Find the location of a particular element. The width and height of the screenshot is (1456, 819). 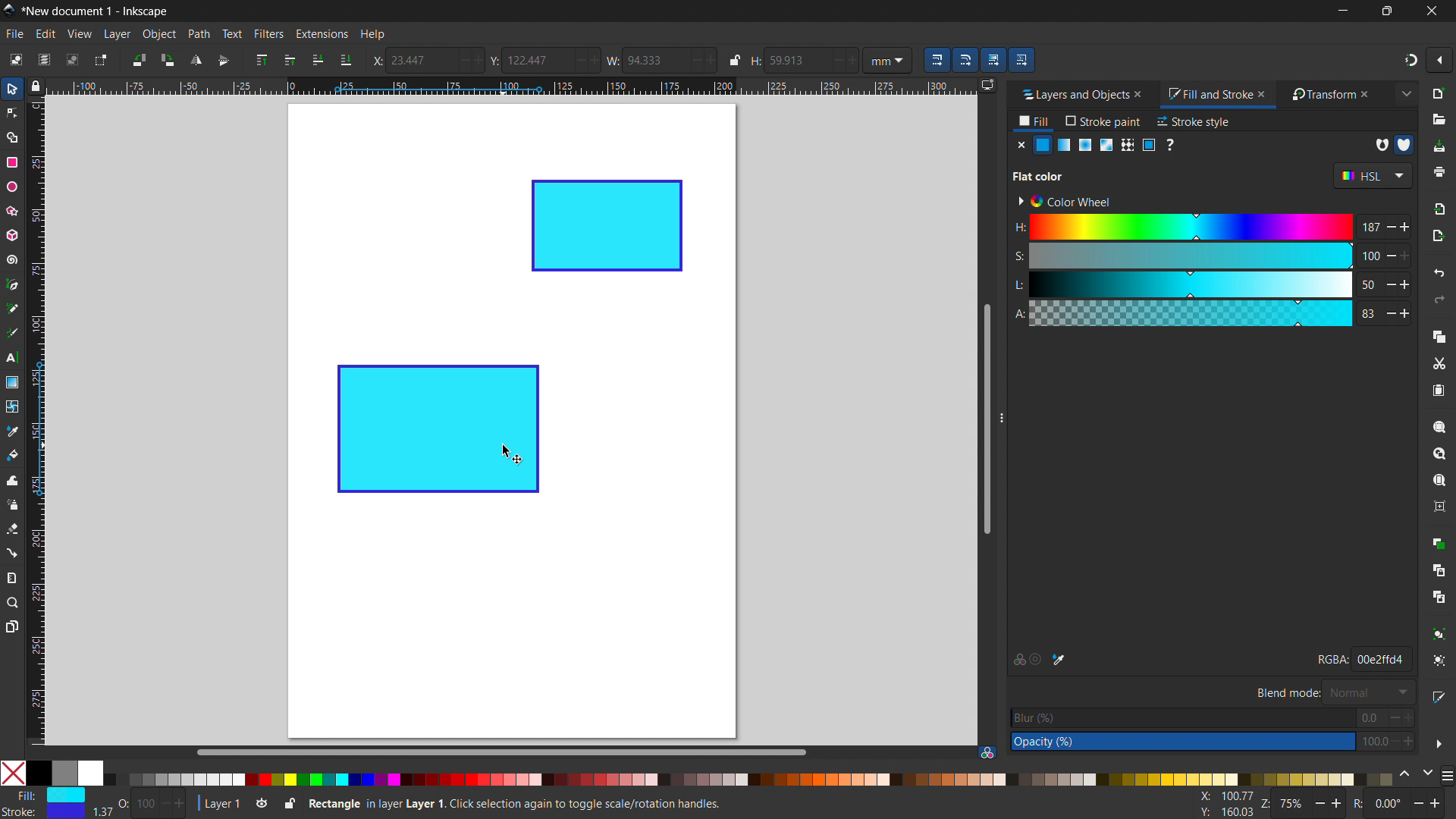

extended menu is located at coordinates (1406, 93).